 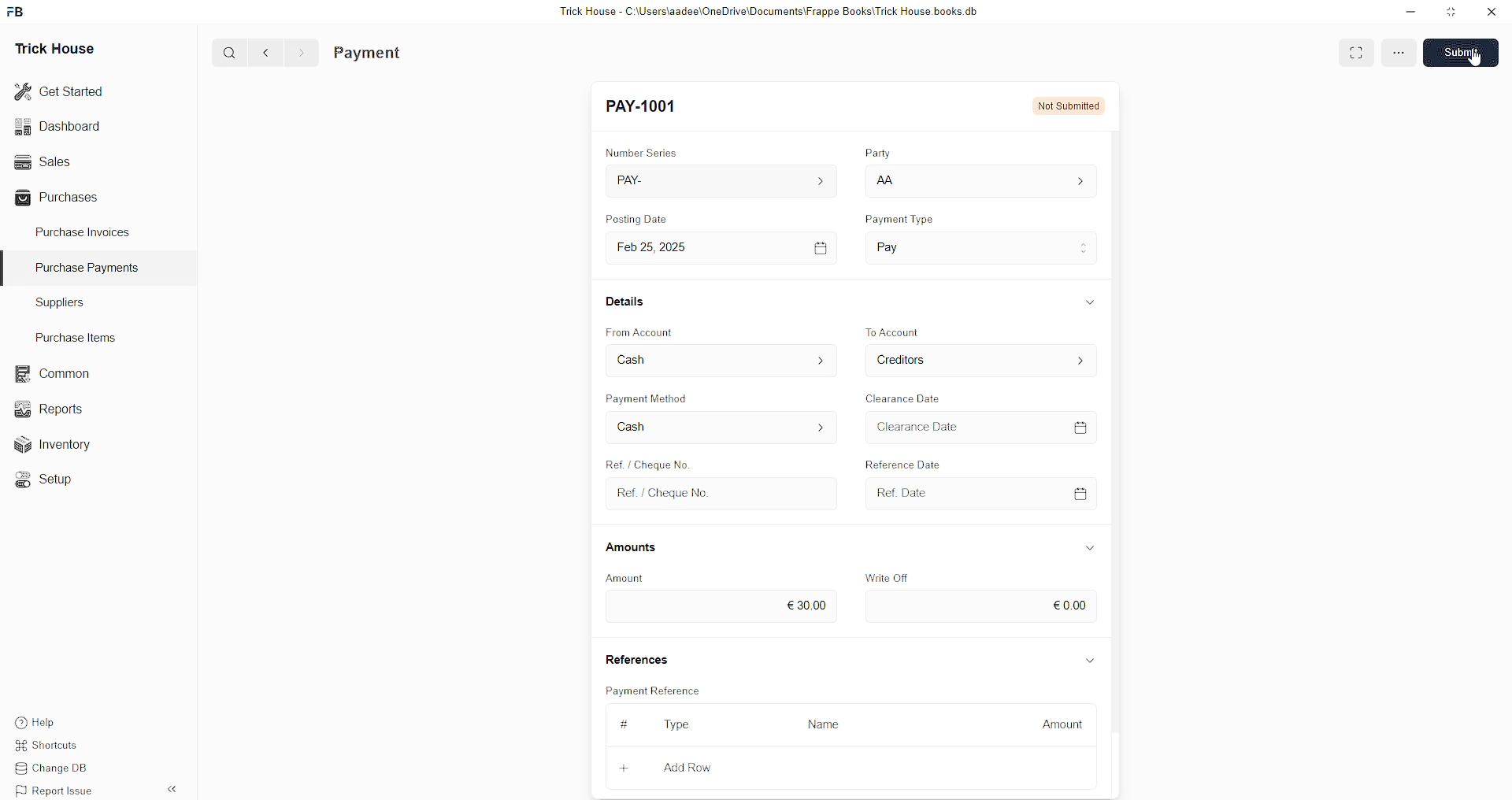 What do you see at coordinates (1073, 606) in the screenshot?
I see `€0.00` at bounding box center [1073, 606].